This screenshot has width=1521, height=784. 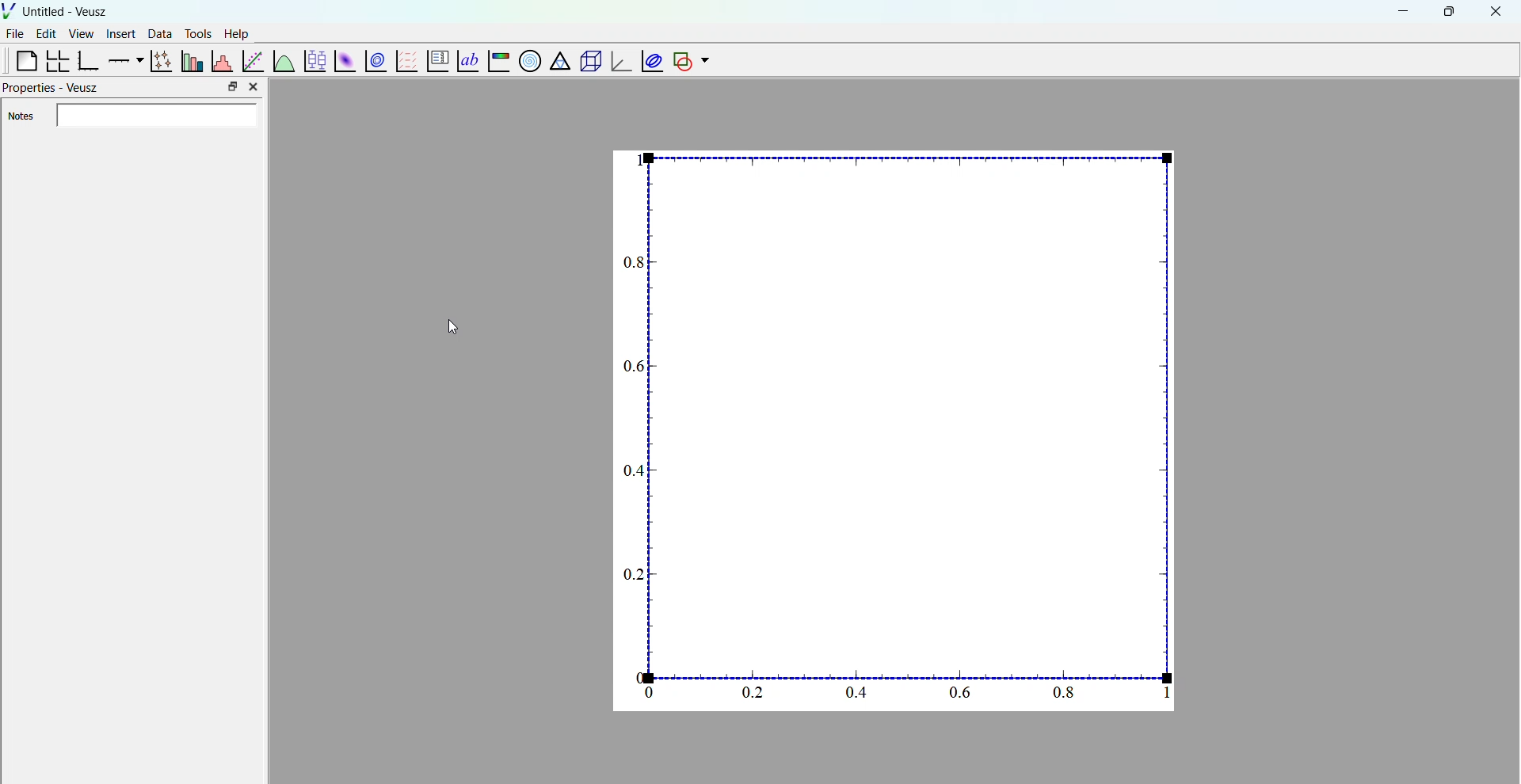 I want to click on base graph, so click(x=88, y=61).